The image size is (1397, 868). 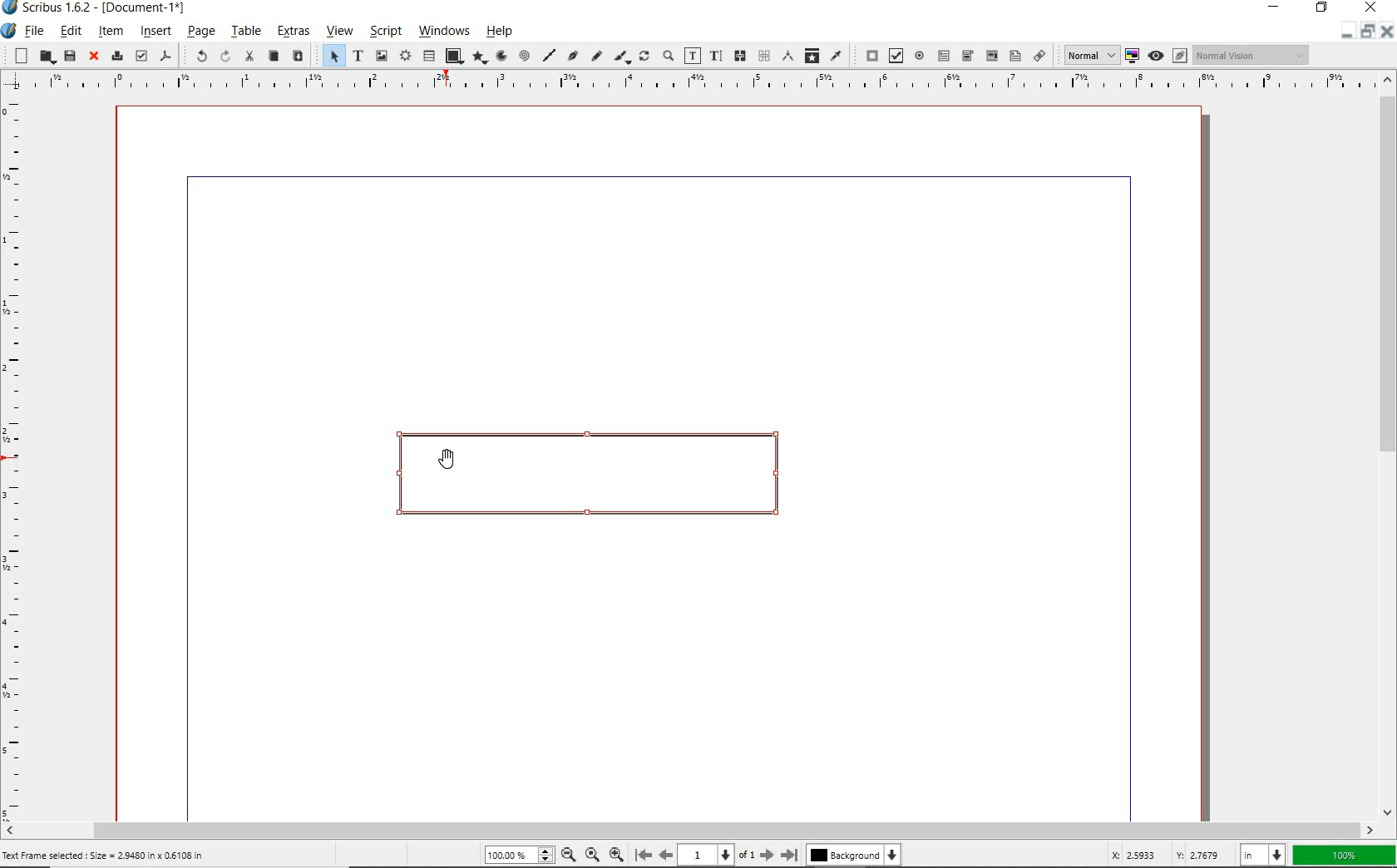 I want to click on item, so click(x=111, y=31).